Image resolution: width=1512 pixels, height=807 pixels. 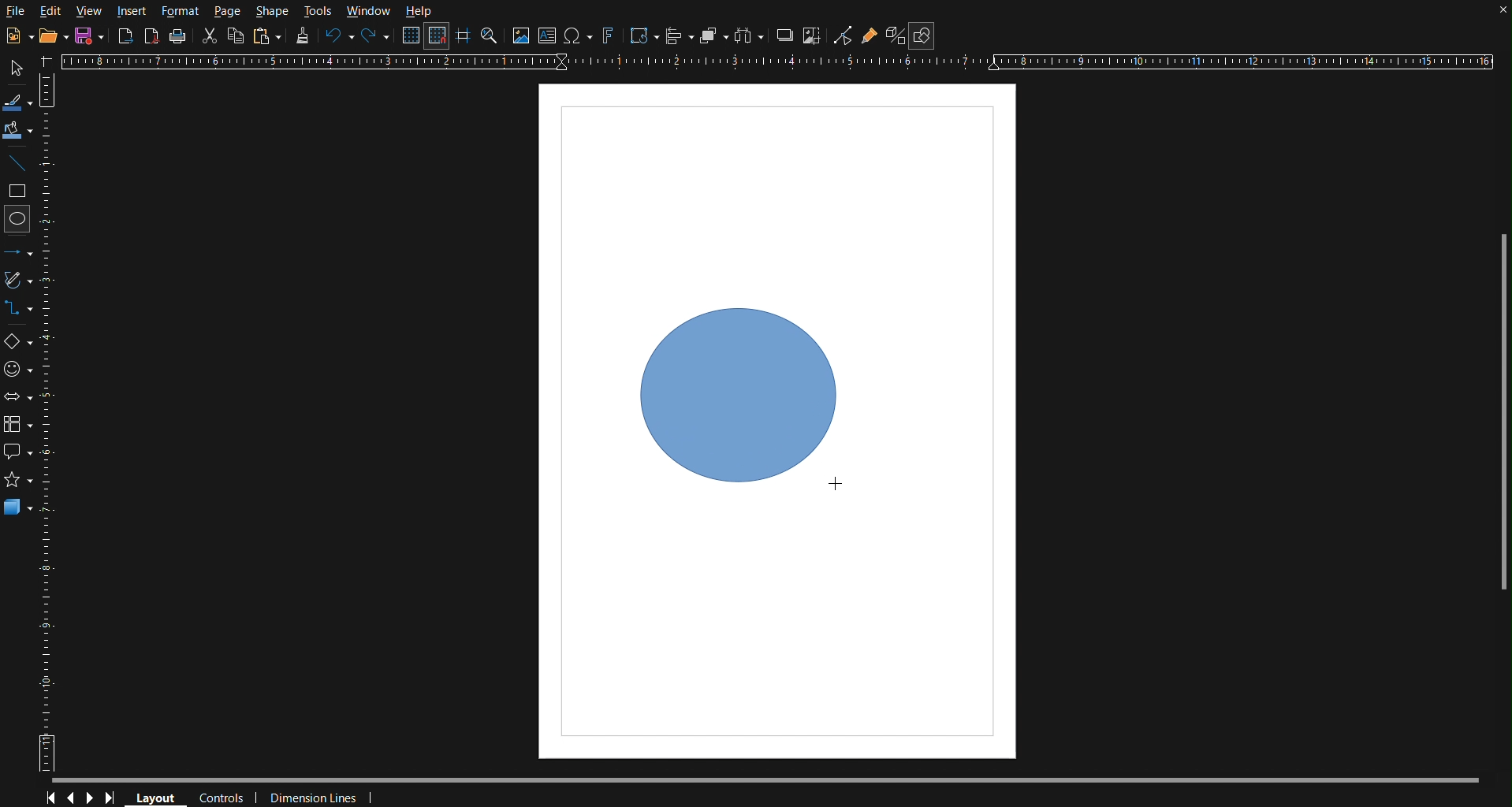 I want to click on New, so click(x=15, y=33).